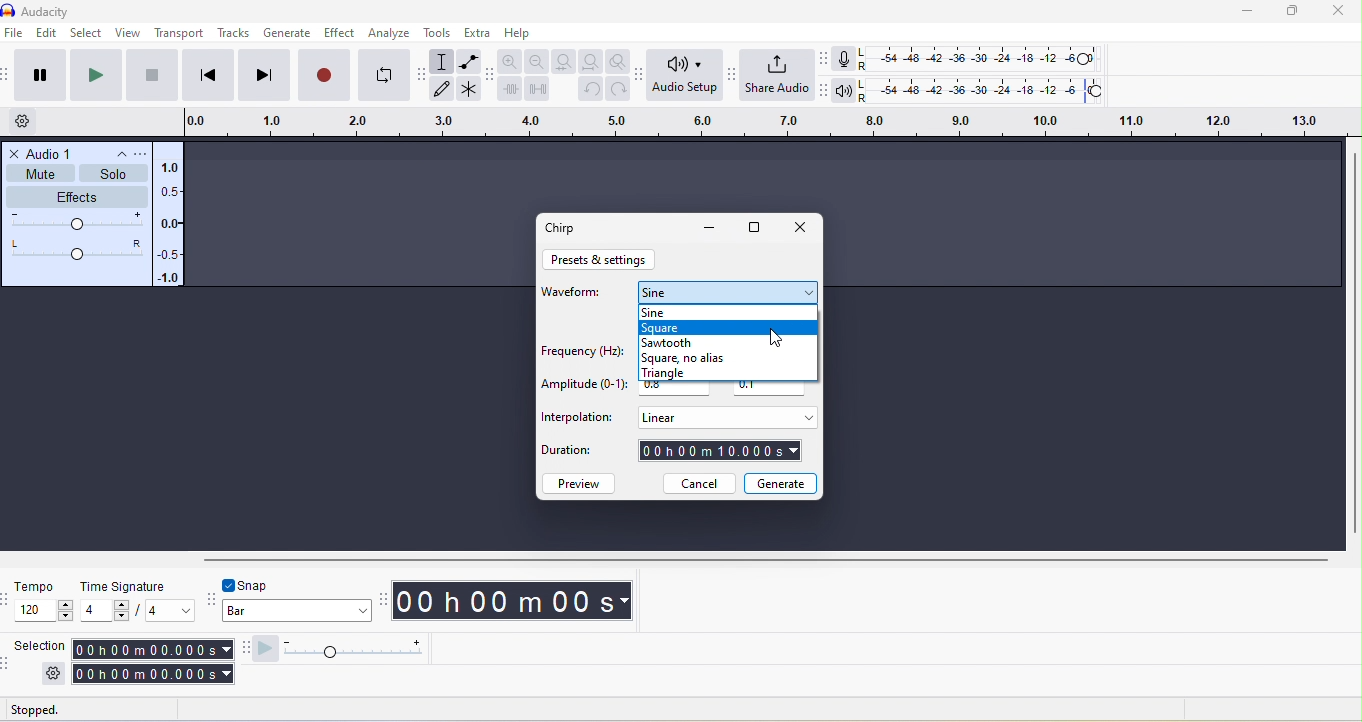  Describe the element at coordinates (77, 249) in the screenshot. I see `pan:center` at that location.